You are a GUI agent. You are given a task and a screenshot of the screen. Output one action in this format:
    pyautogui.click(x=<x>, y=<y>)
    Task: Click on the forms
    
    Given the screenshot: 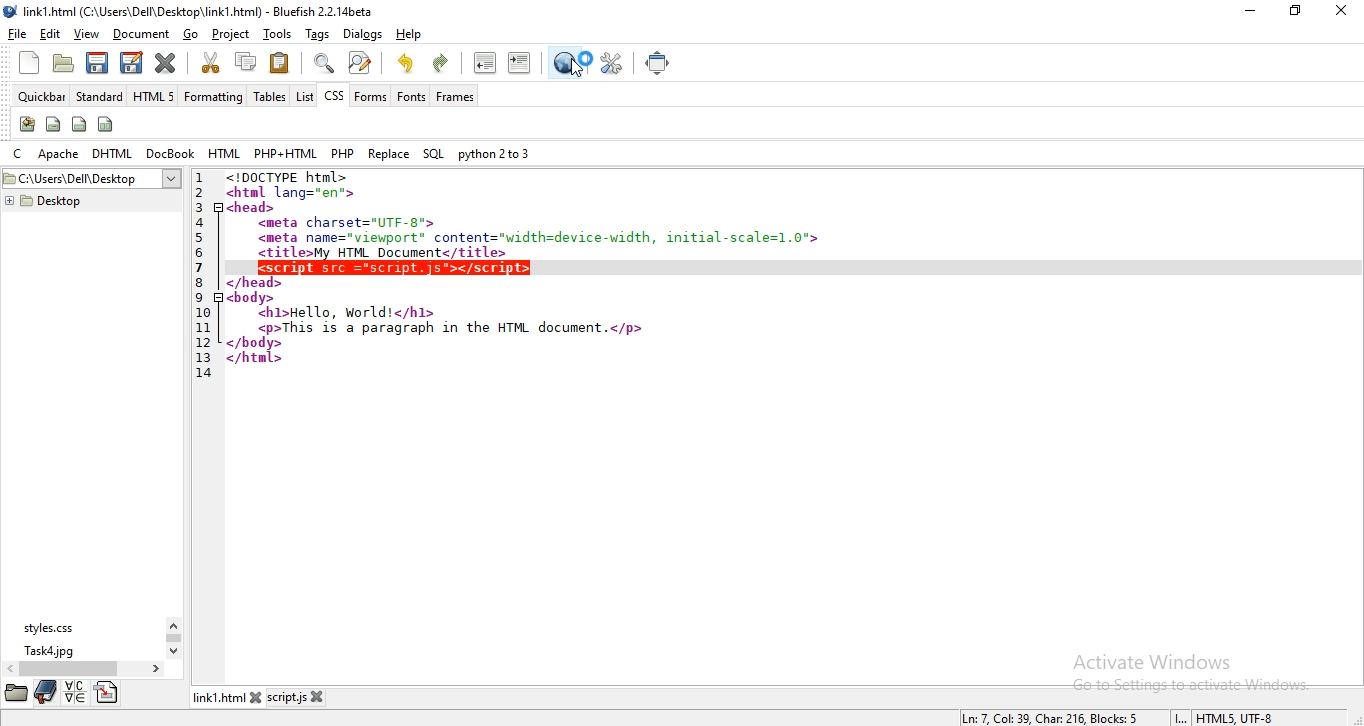 What is the action you would take?
    pyautogui.click(x=371, y=97)
    